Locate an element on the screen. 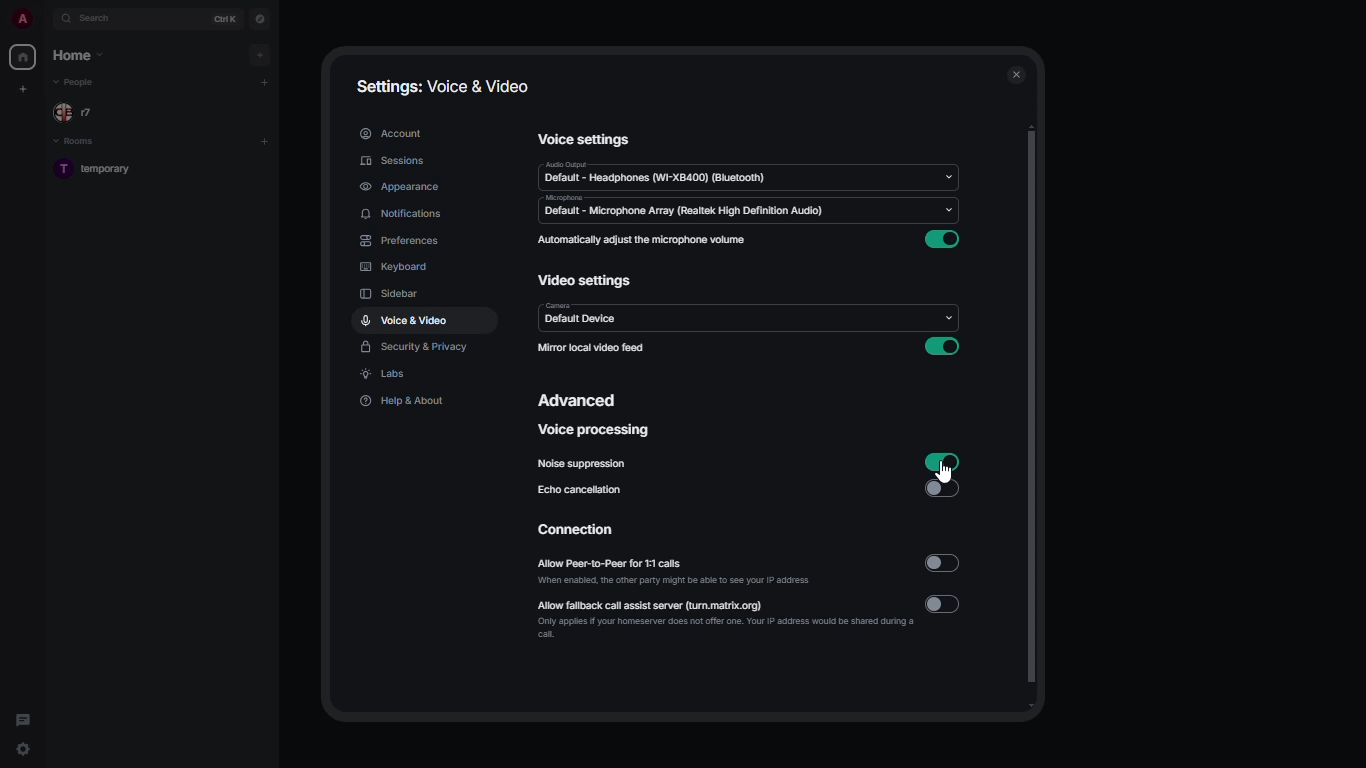 The width and height of the screenshot is (1366, 768). navigator is located at coordinates (258, 19).